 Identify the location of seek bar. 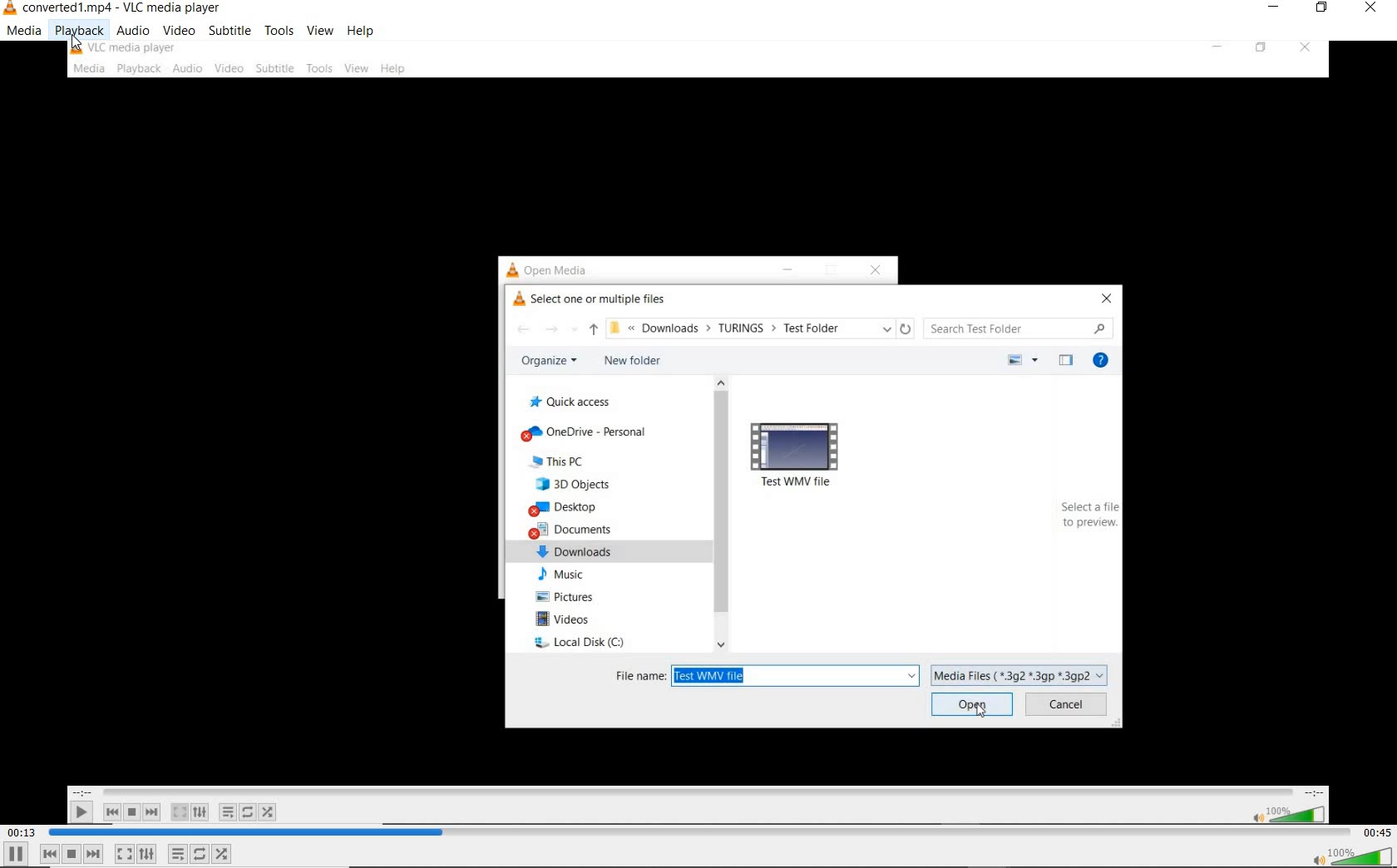
(700, 831).